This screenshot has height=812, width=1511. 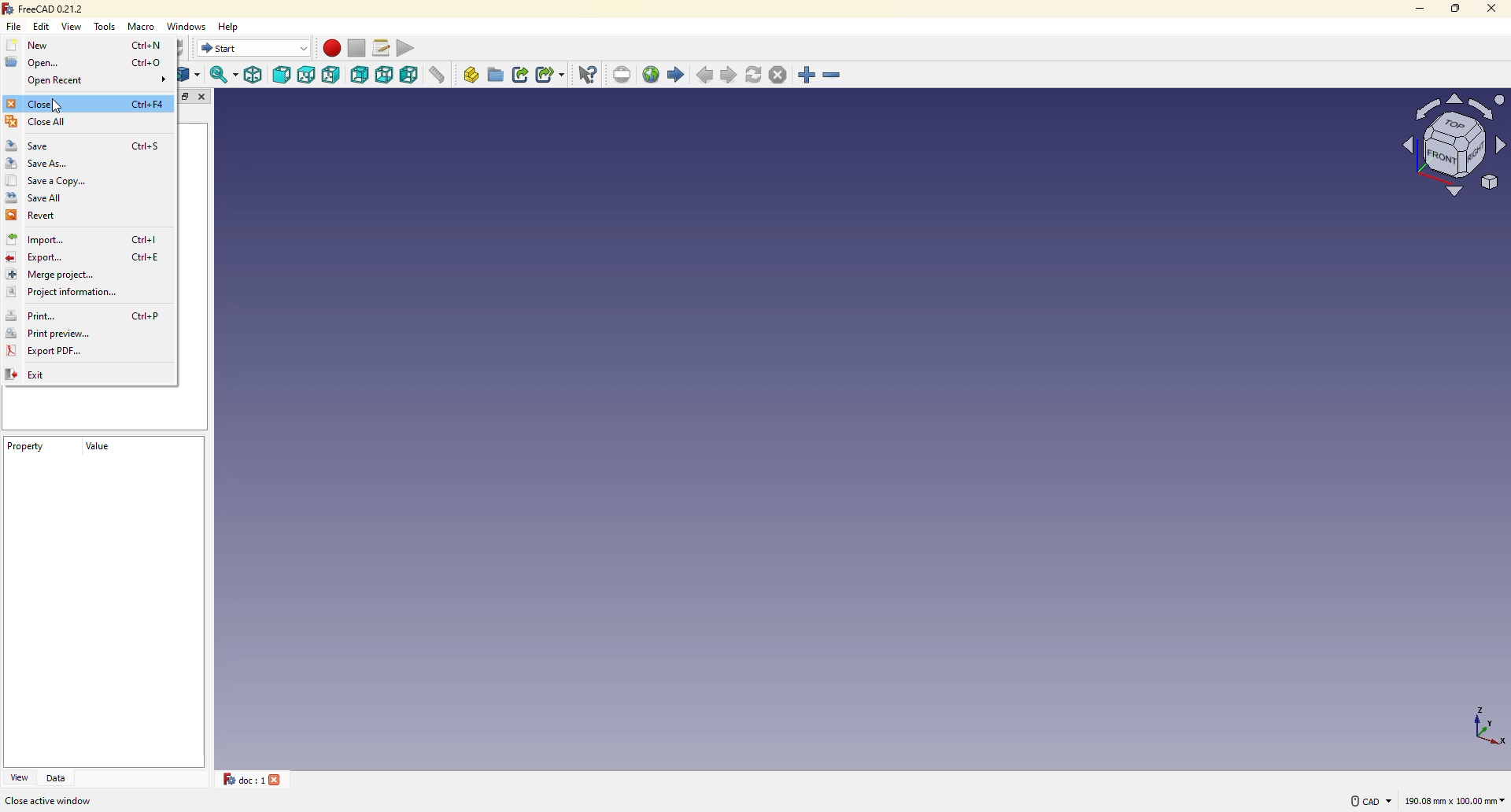 What do you see at coordinates (1490, 8) in the screenshot?
I see `close` at bounding box center [1490, 8].